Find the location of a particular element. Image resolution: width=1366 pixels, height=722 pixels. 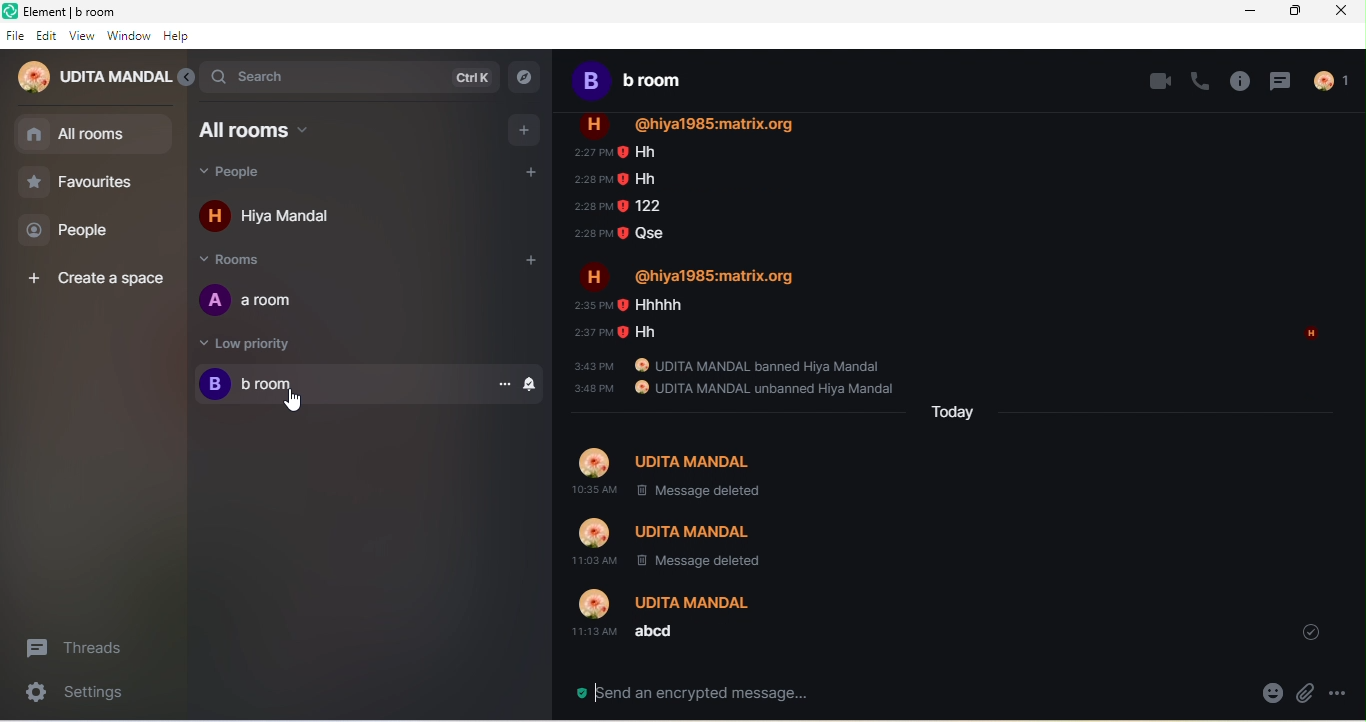

people is located at coordinates (75, 233).